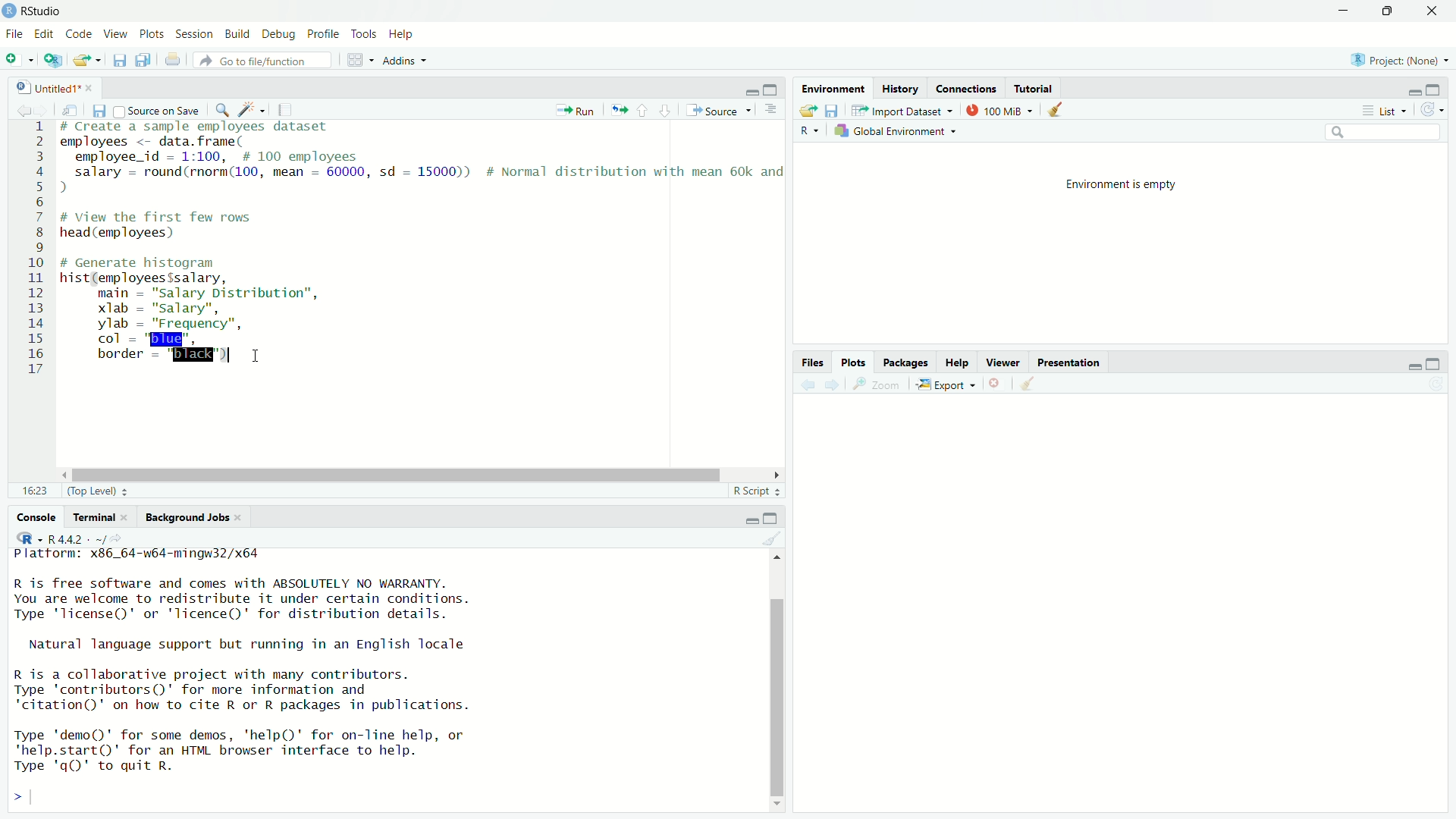 This screenshot has height=819, width=1456. What do you see at coordinates (808, 385) in the screenshot?
I see `previous` at bounding box center [808, 385].